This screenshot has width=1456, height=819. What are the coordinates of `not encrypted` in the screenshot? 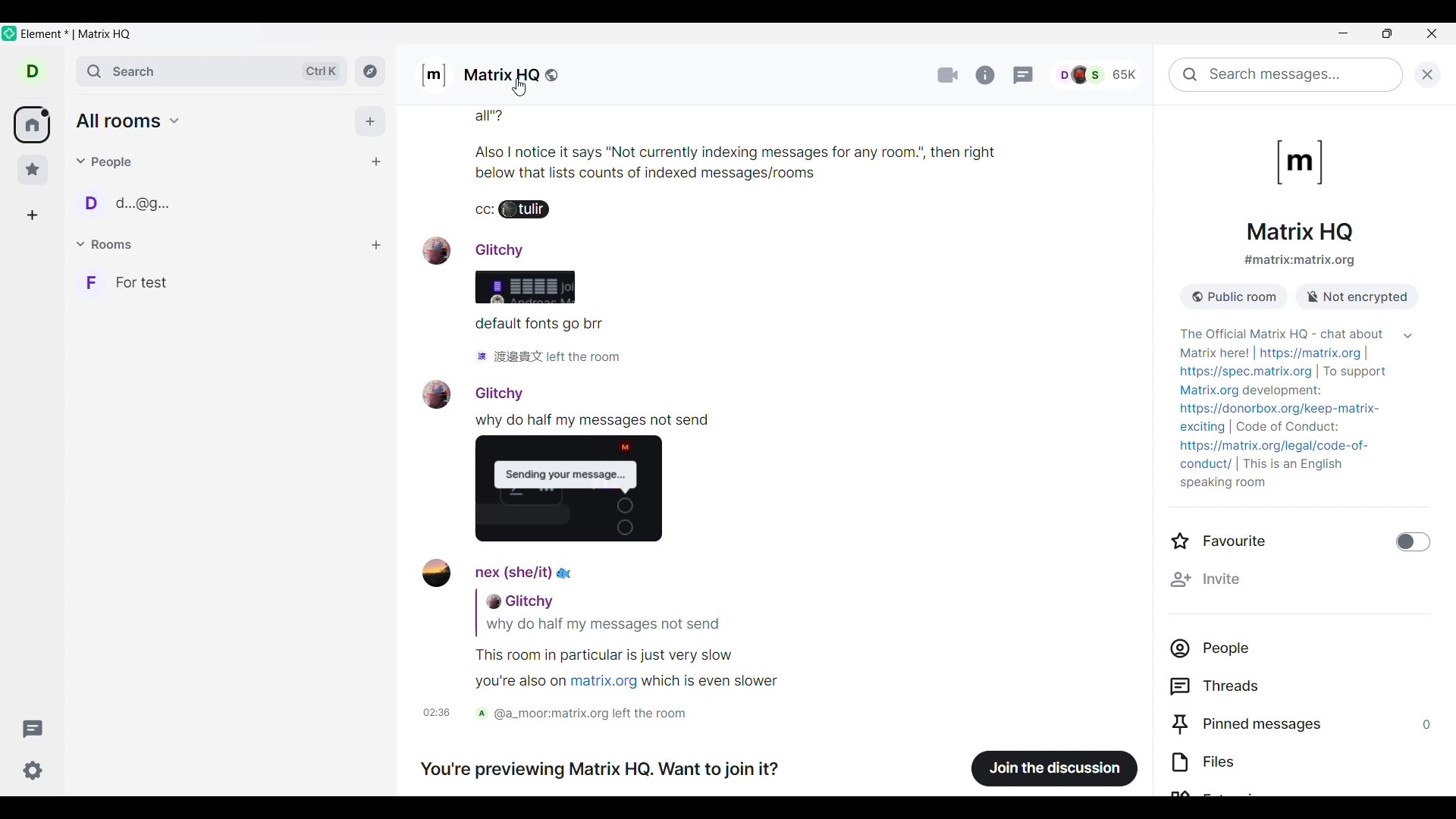 It's located at (1357, 296).